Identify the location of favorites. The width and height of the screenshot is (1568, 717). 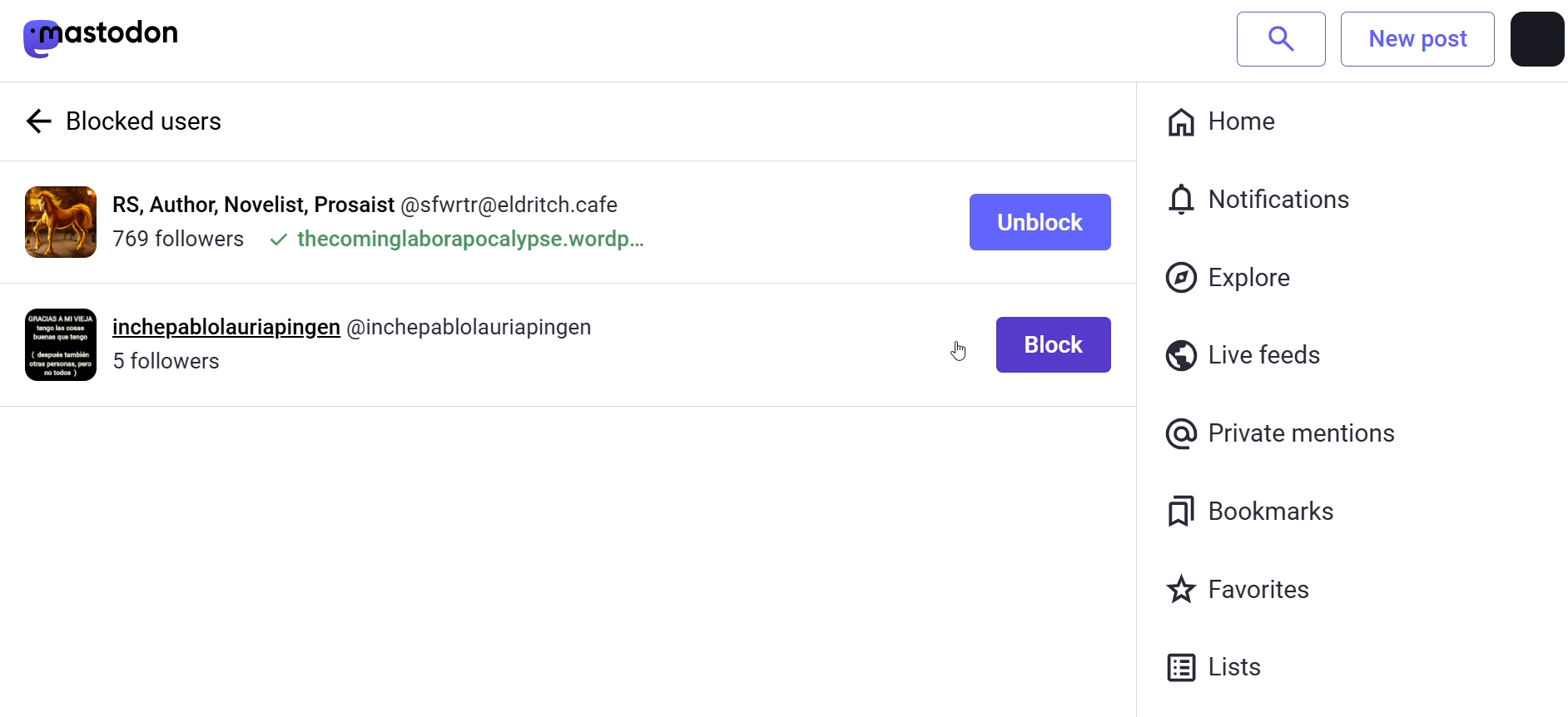
(1244, 590).